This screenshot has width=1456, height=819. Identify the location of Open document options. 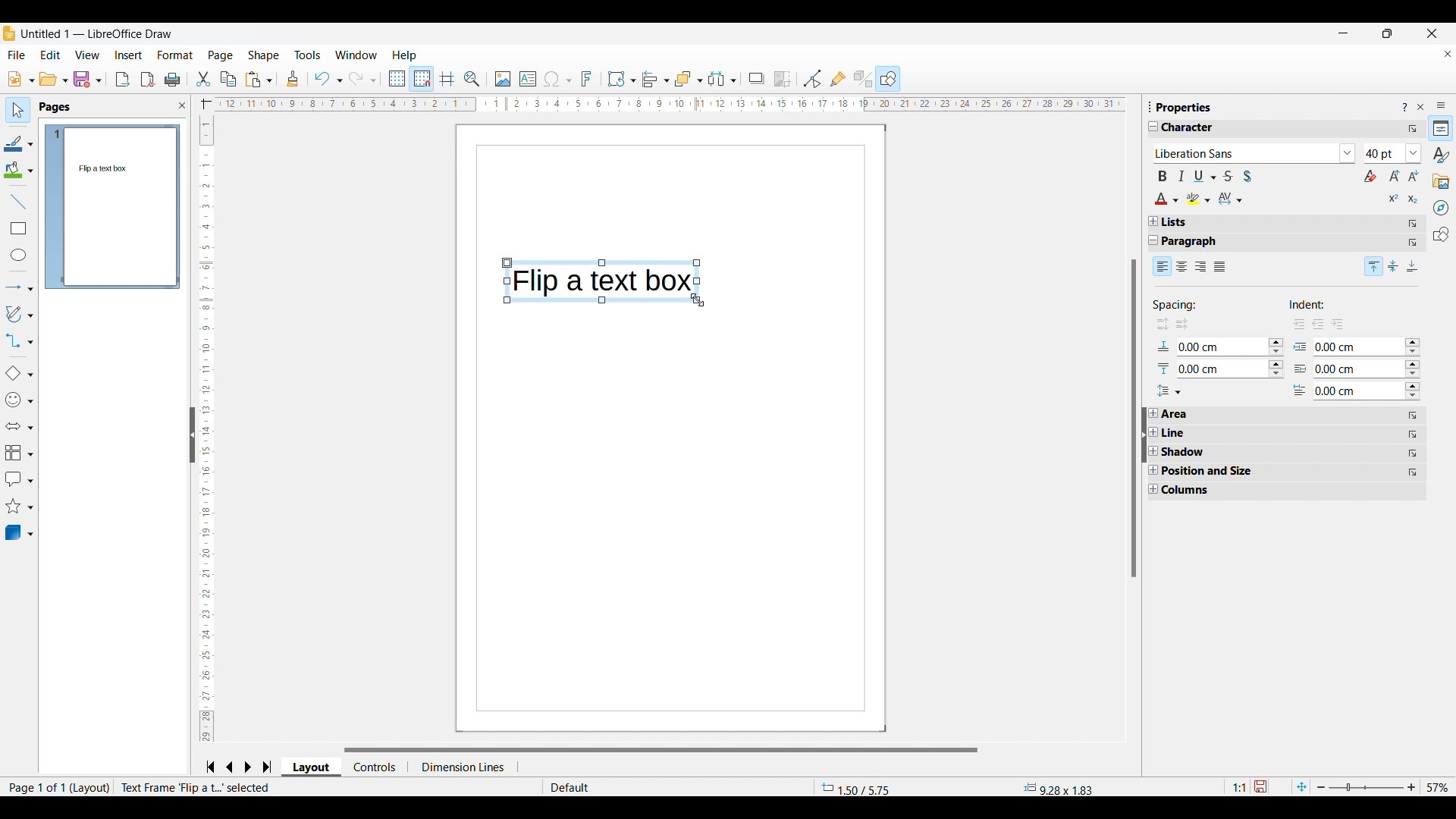
(54, 78).